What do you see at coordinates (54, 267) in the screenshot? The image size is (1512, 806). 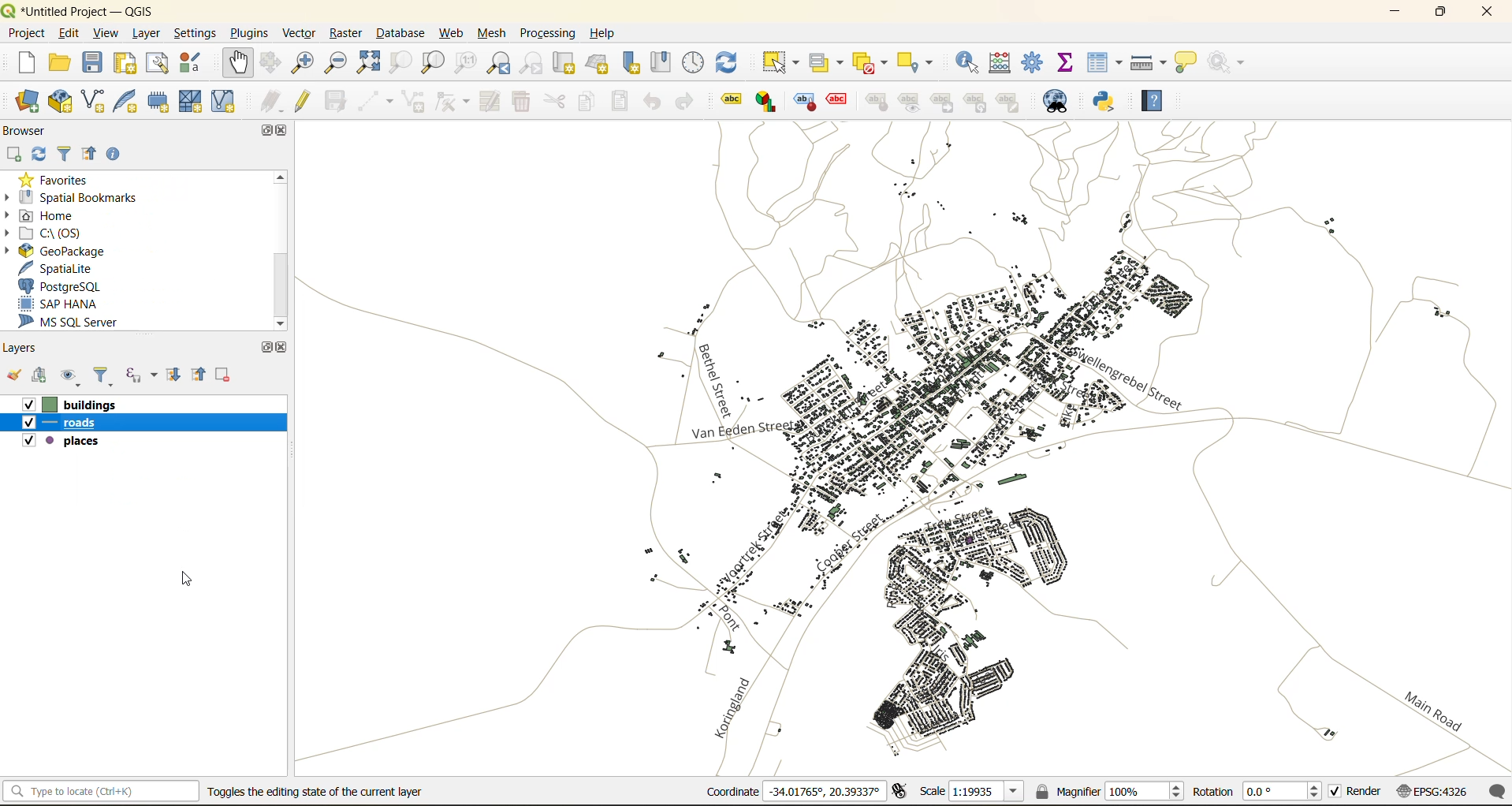 I see `spatialite` at bounding box center [54, 267].